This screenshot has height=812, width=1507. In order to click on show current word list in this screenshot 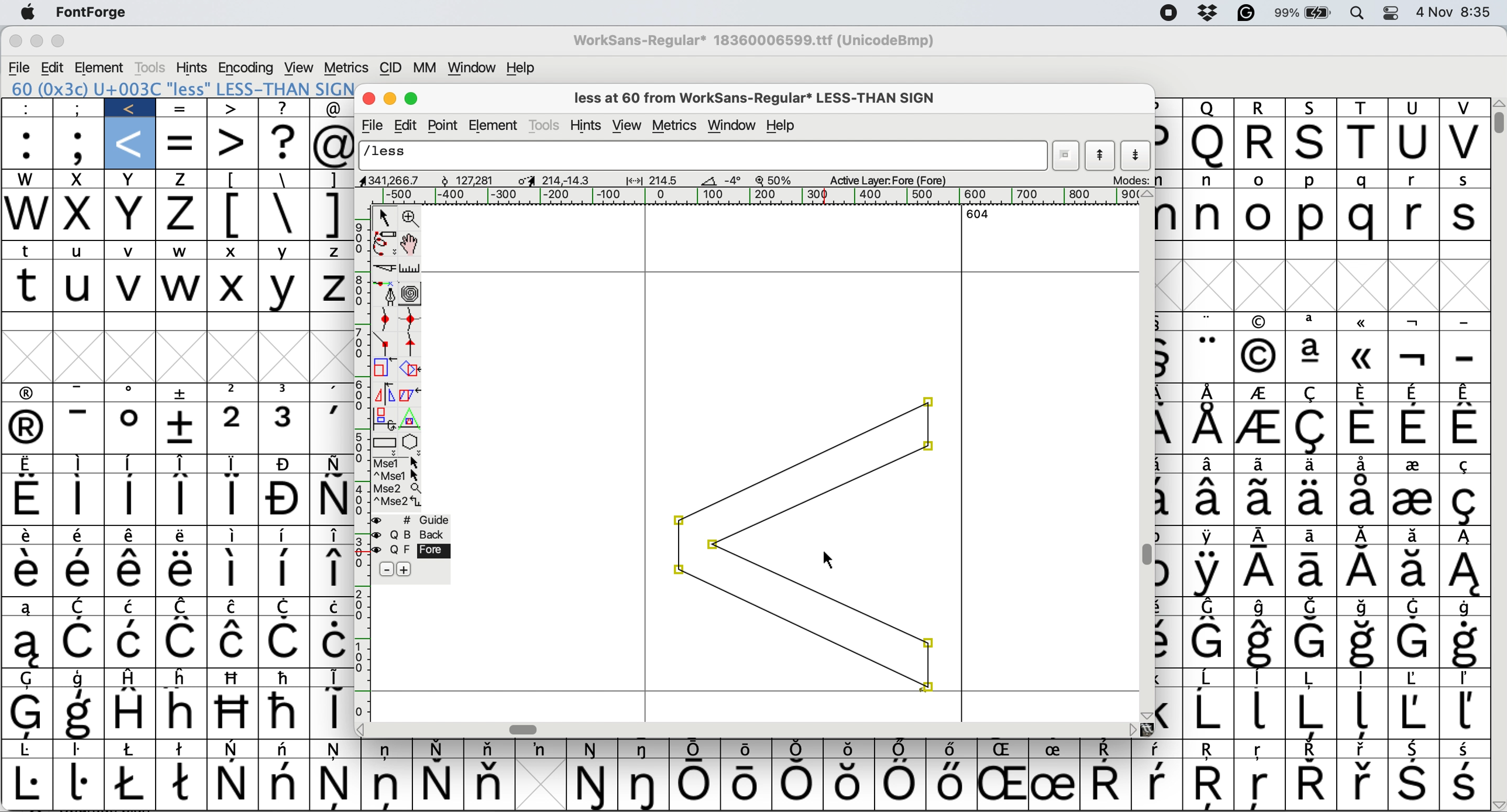, I will do `click(1069, 155)`.